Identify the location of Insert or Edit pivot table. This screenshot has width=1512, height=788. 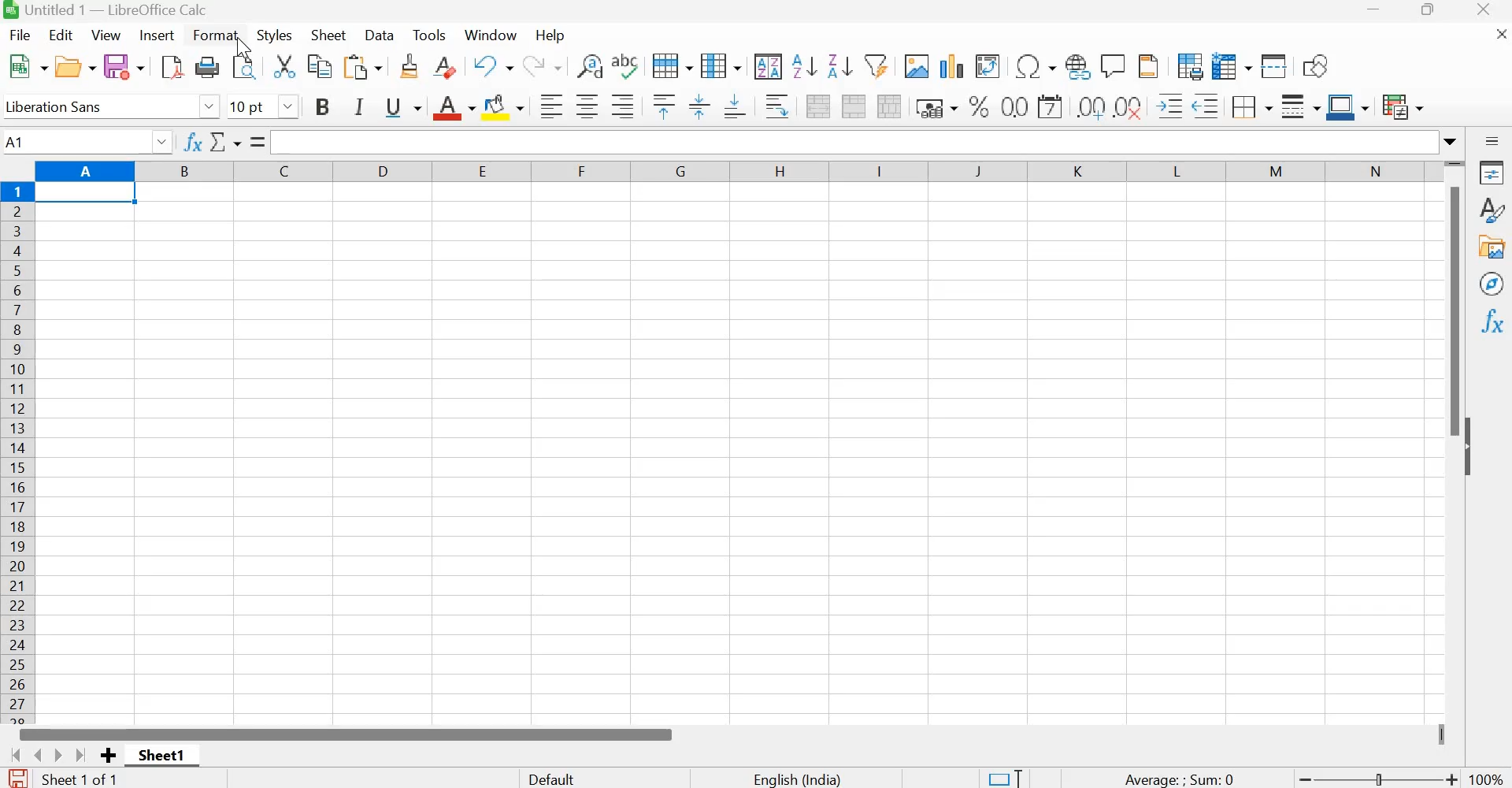
(987, 64).